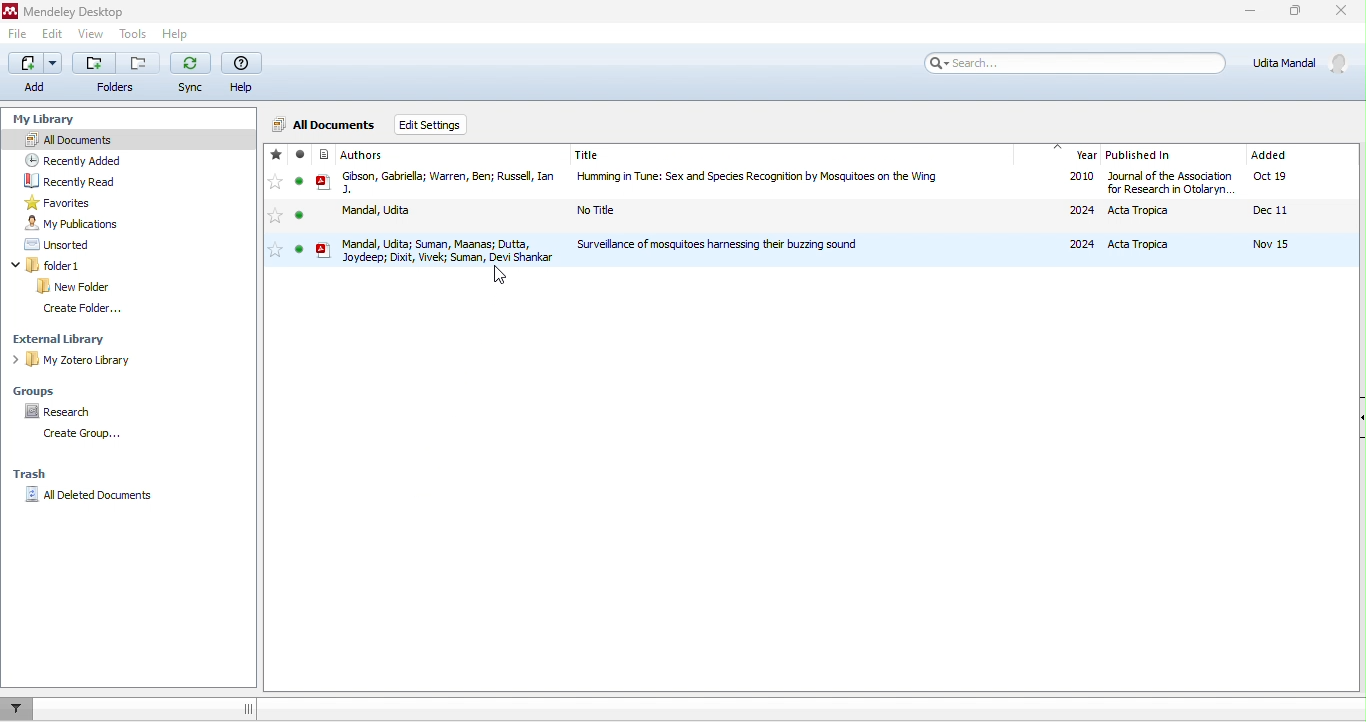 This screenshot has height=722, width=1366. What do you see at coordinates (803, 184) in the screenshot?
I see `y; Gibson, Gabriela; Warren, Ben; Russel, lan Humming in Tune: Sex and Species Recognition by Mosquitoes on the Wing 2010 Journal of the Association ~~ Oct 19
Jy is Ruseusdeiv Oley.` at bounding box center [803, 184].